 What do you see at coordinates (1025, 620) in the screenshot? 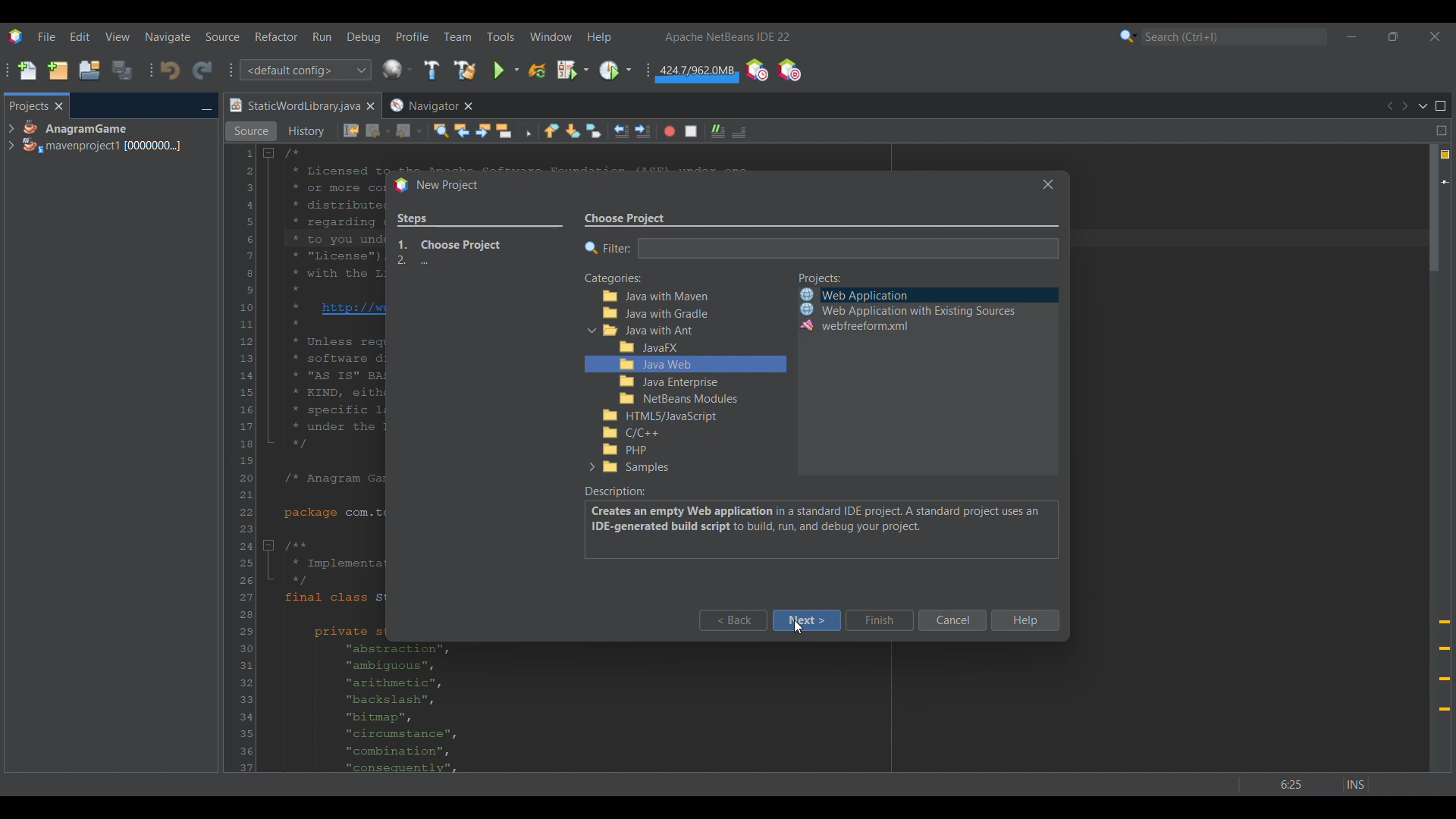
I see `Help` at bounding box center [1025, 620].